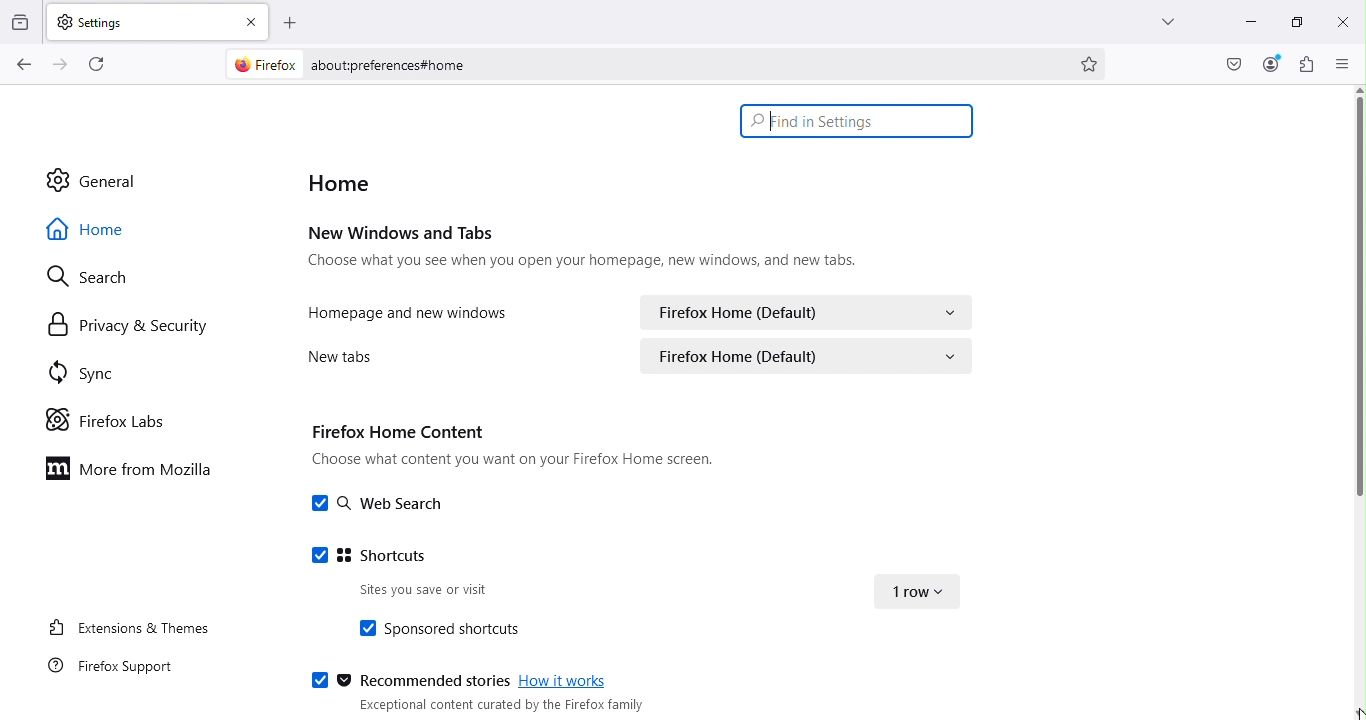 The image size is (1366, 720). Describe the element at coordinates (517, 450) in the screenshot. I see `Firefox home content` at that location.